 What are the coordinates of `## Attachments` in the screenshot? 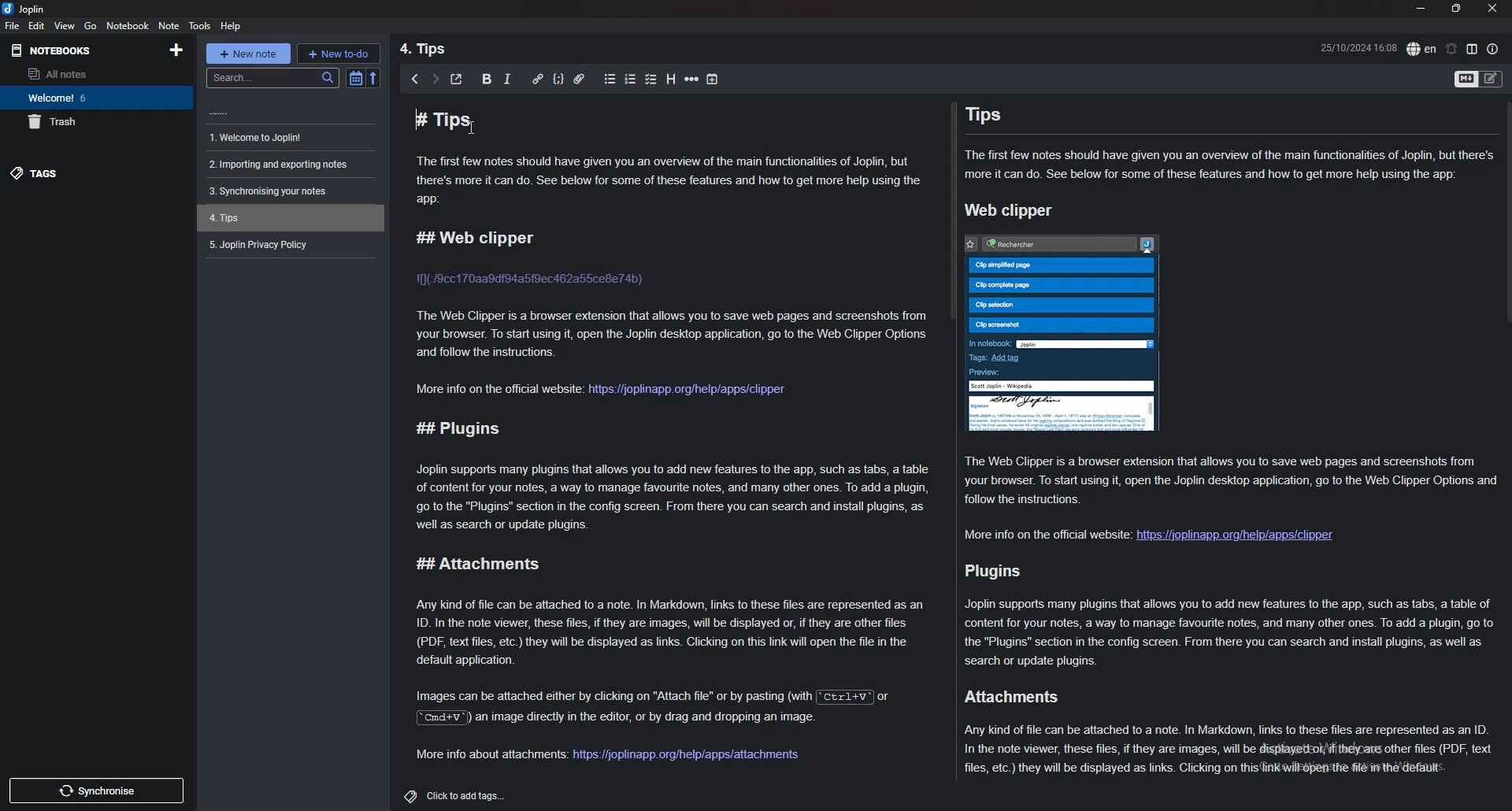 It's located at (473, 565).